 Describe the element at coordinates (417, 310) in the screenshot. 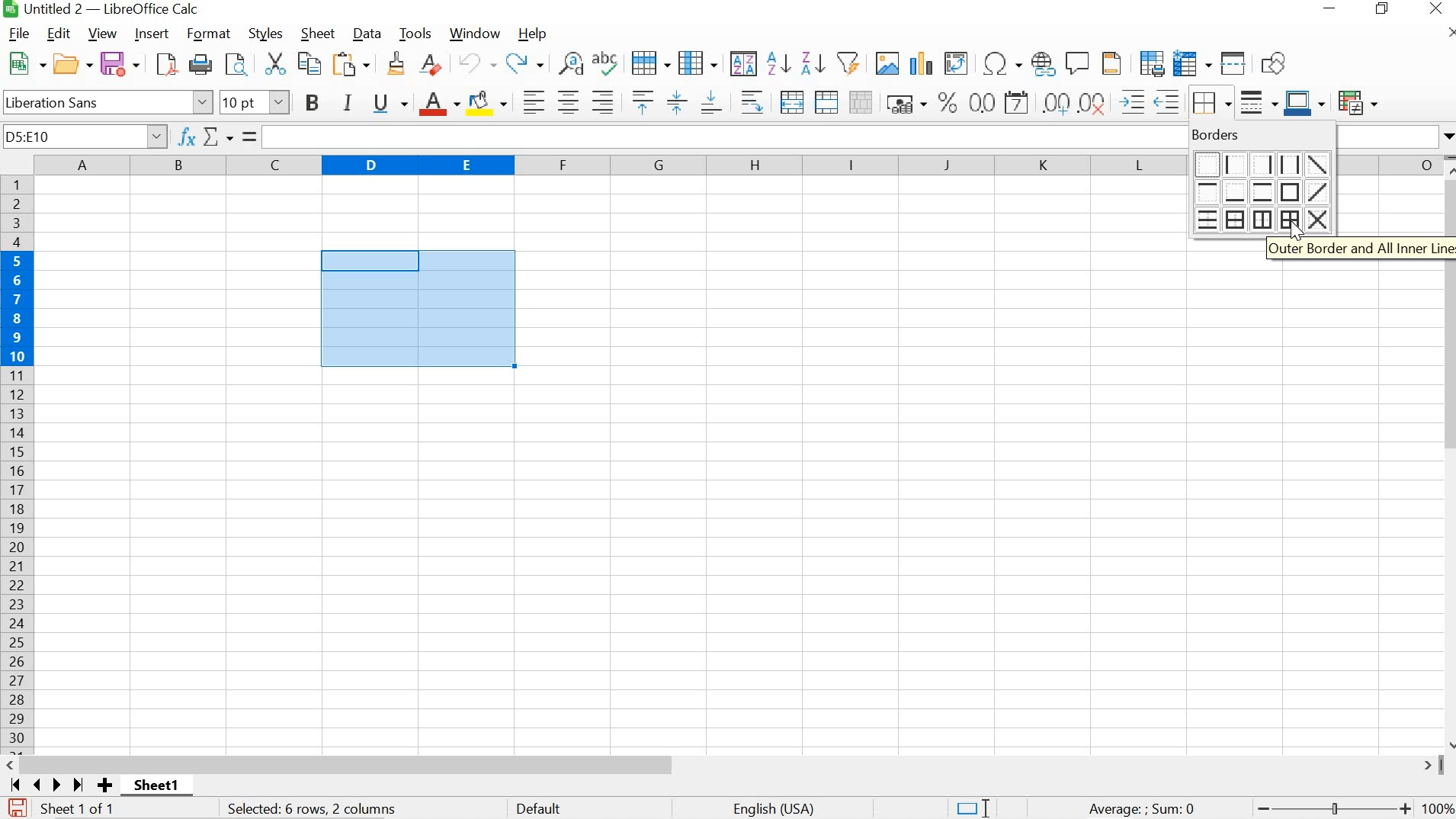

I see `selected cells` at that location.